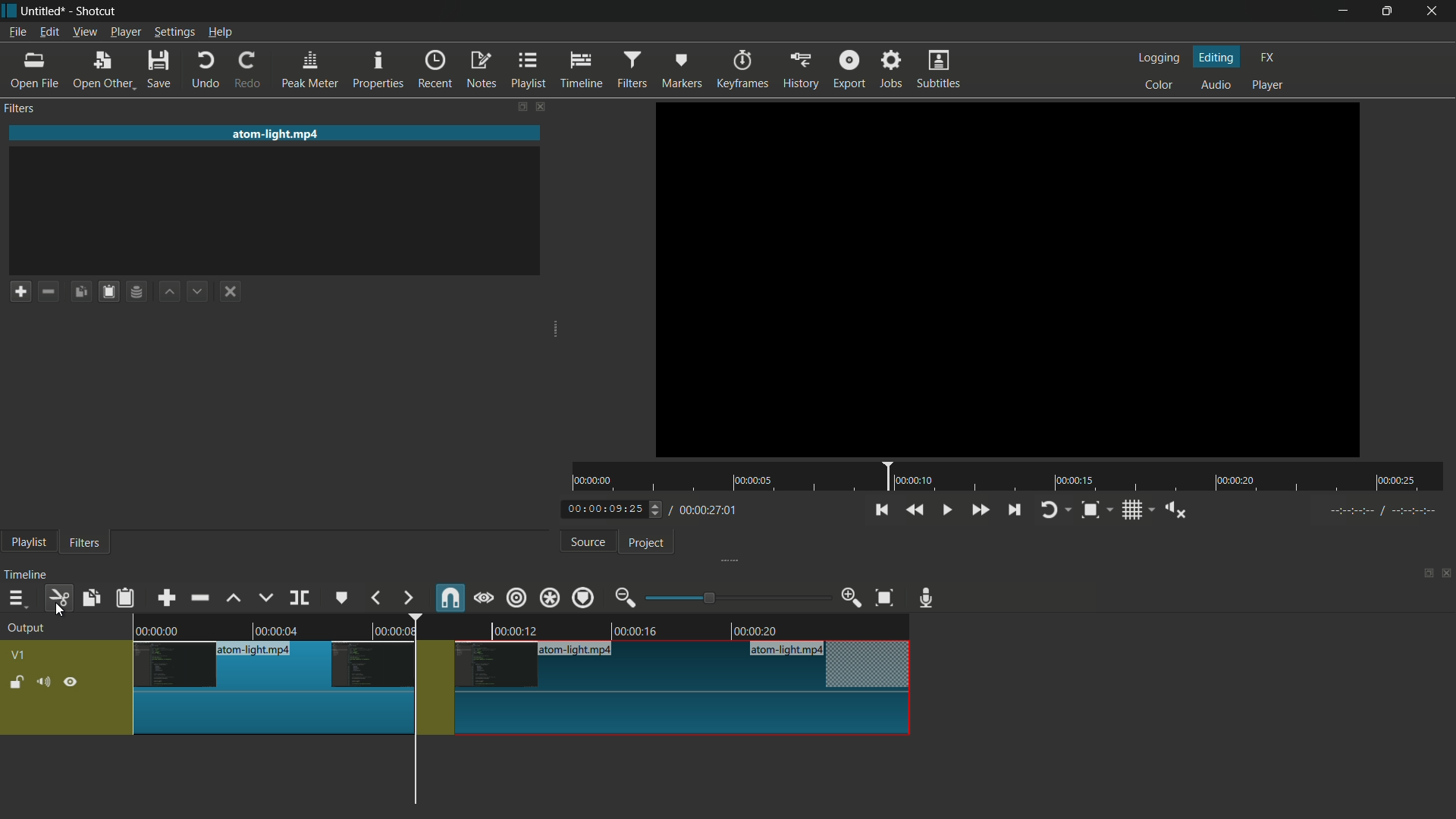  What do you see at coordinates (1175, 509) in the screenshot?
I see `show volume control` at bounding box center [1175, 509].